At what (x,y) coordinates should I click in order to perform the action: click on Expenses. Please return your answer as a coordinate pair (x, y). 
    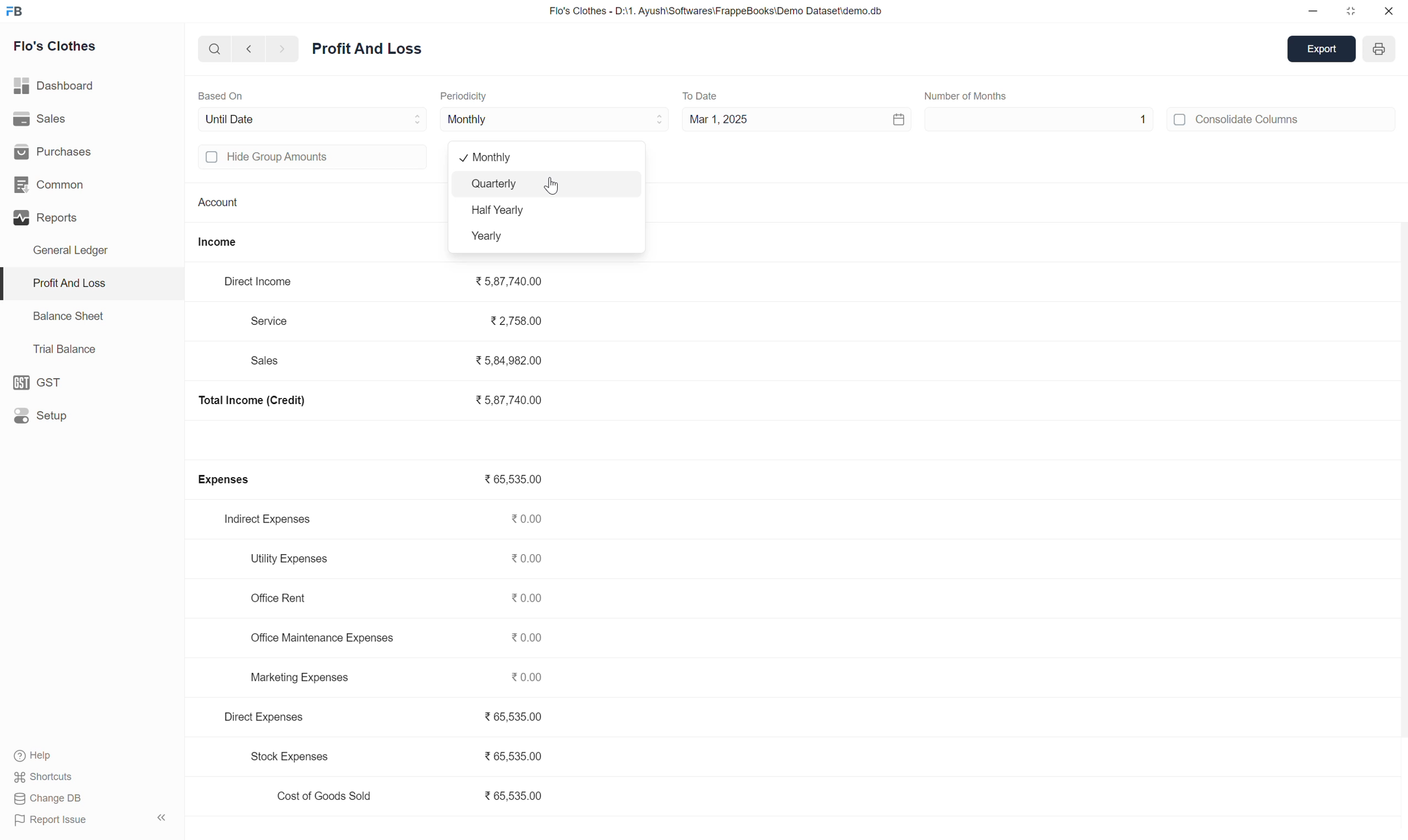
    Looking at the image, I should click on (229, 480).